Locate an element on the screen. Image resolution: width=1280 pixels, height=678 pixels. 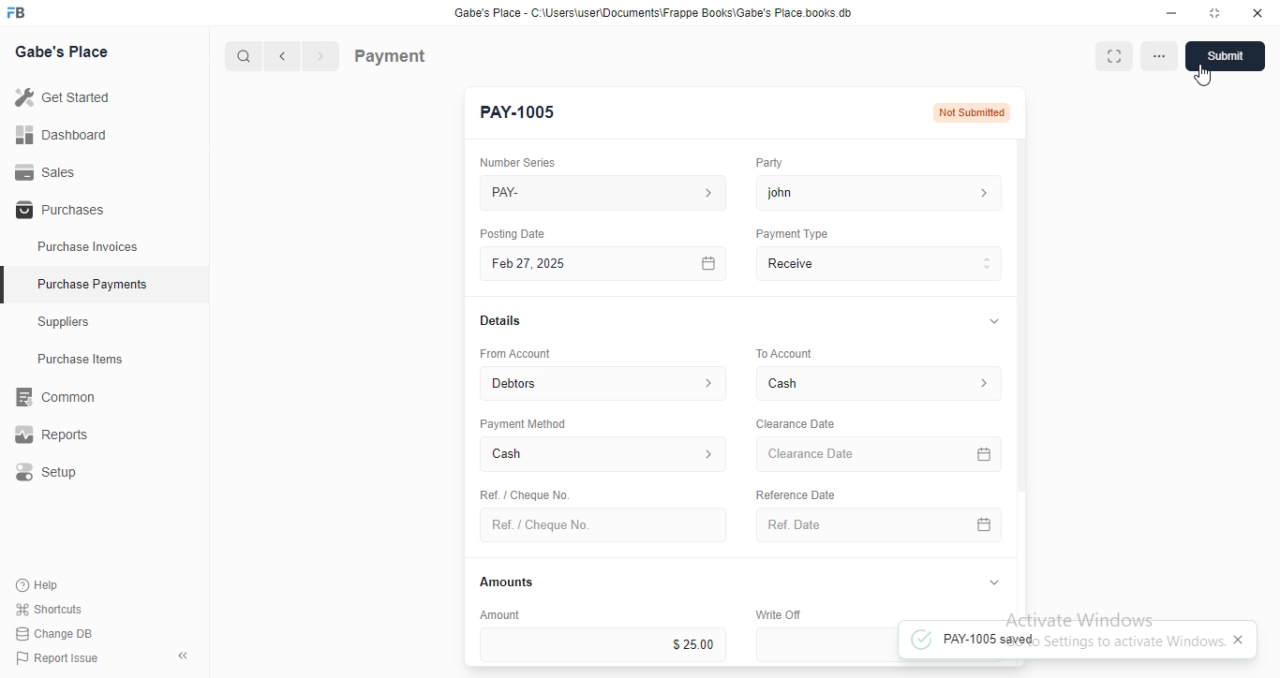
Pay is located at coordinates (880, 263).